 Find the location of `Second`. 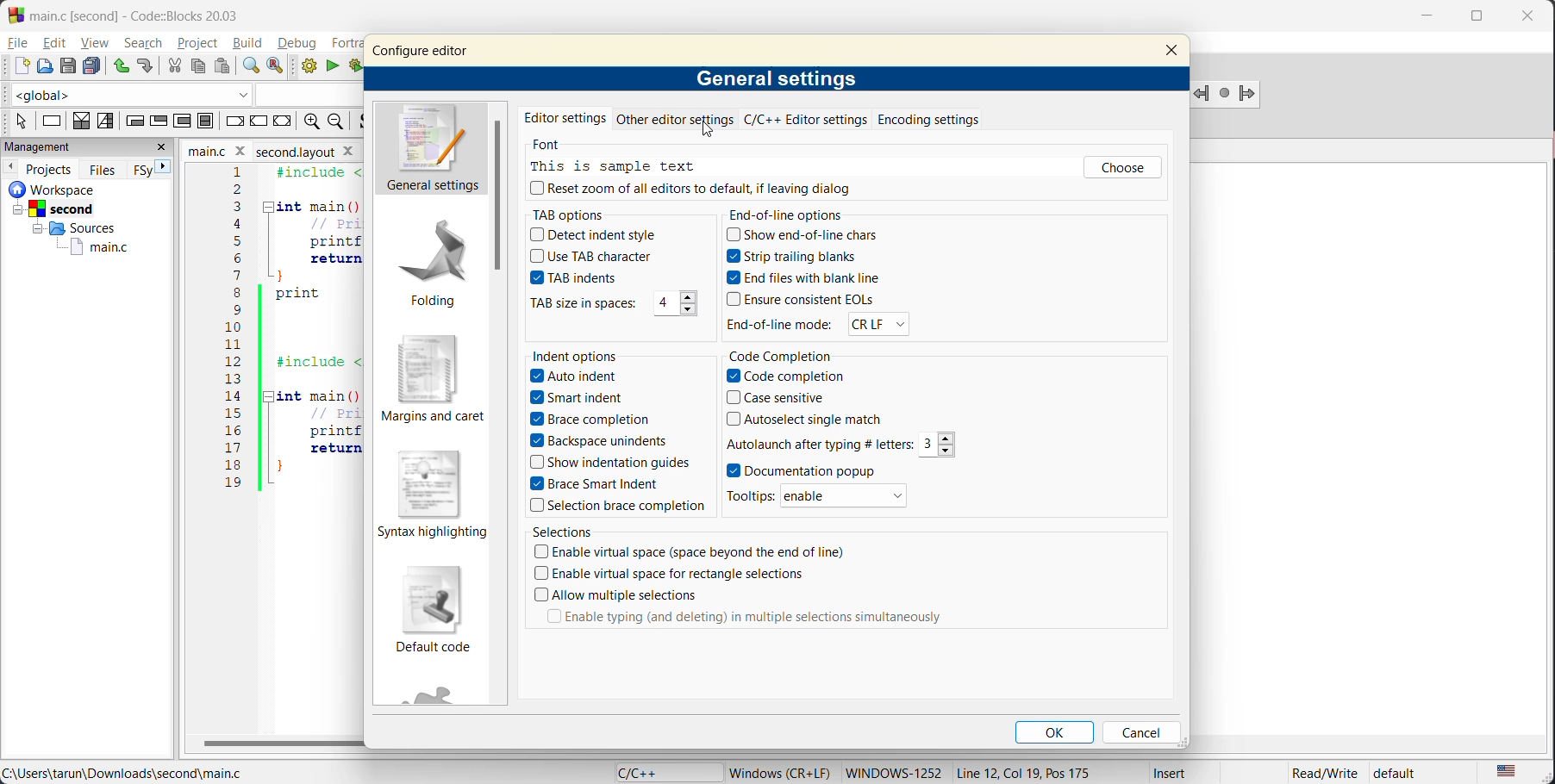

Second is located at coordinates (76, 208).